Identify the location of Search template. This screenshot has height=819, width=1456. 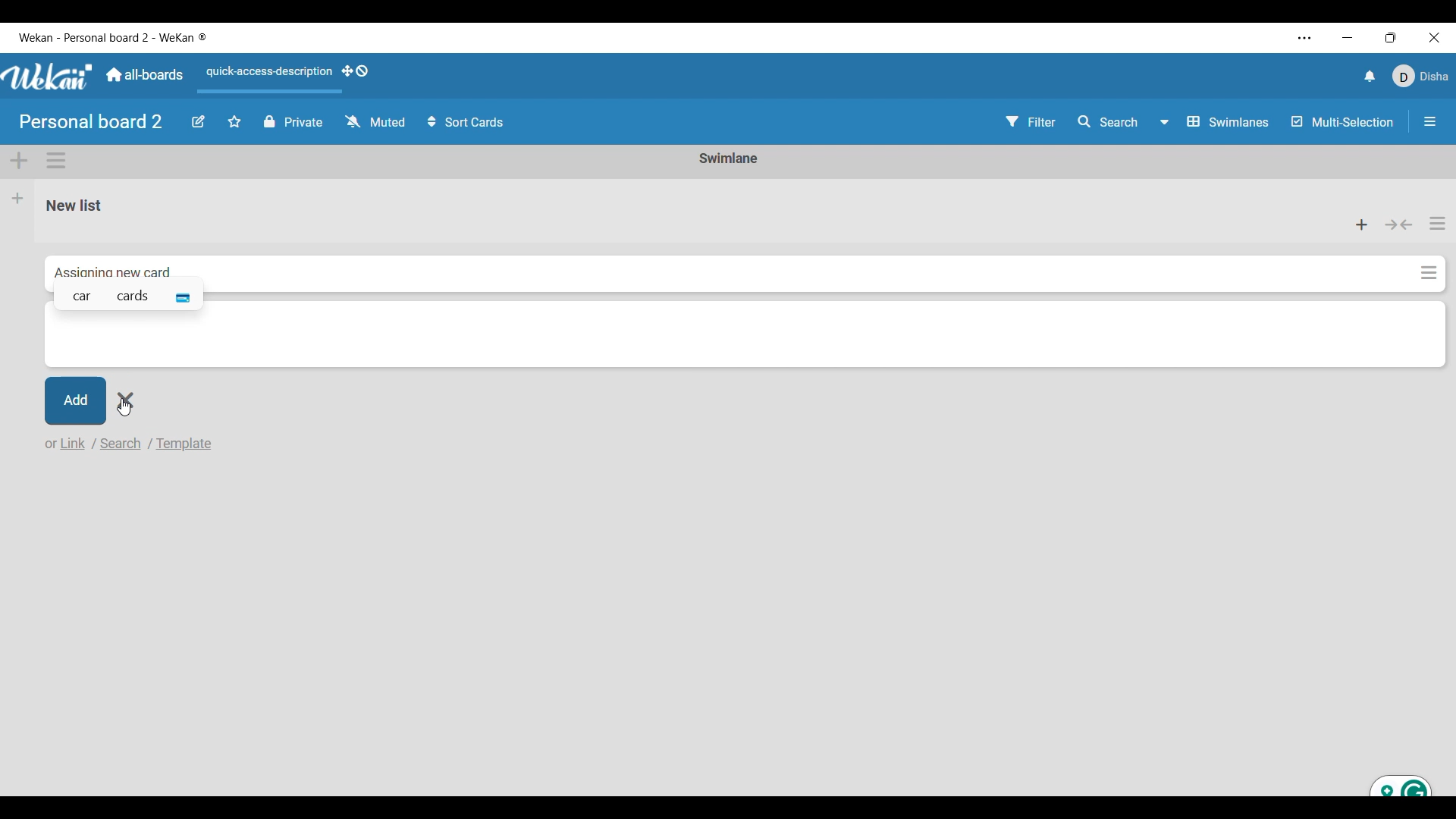
(184, 444).